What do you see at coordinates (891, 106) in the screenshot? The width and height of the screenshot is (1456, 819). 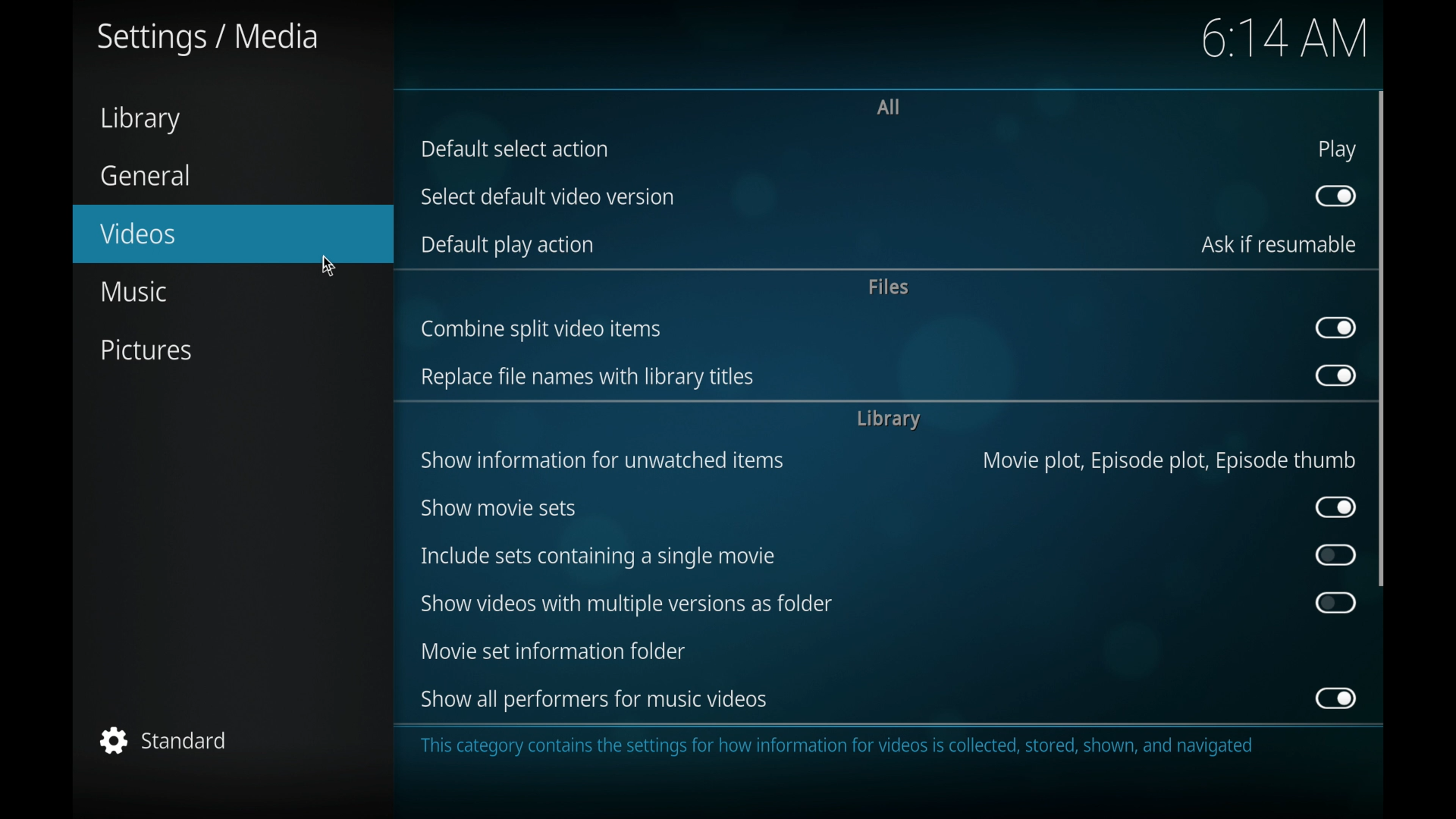 I see `all` at bounding box center [891, 106].